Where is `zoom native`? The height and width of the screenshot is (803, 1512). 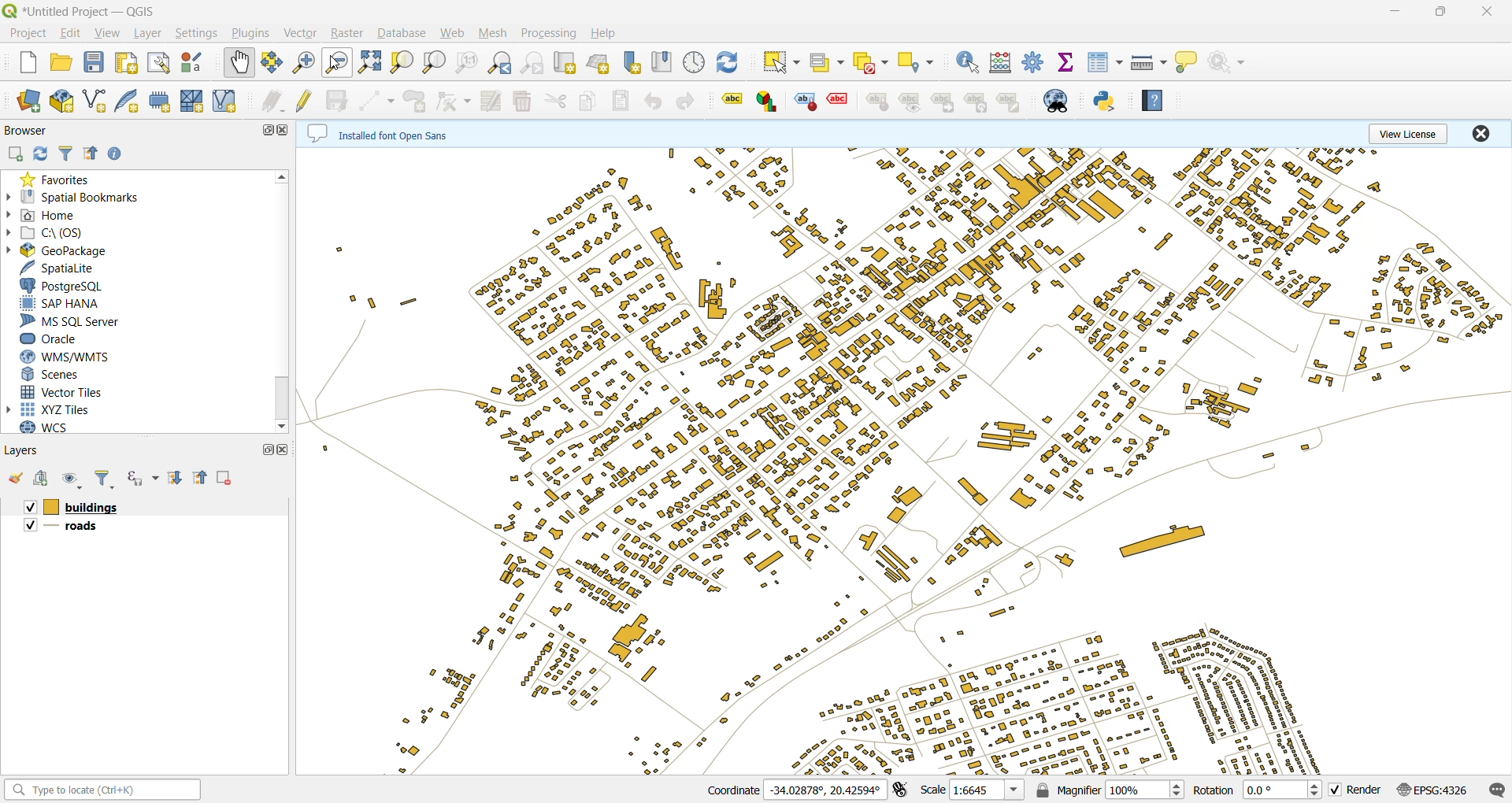 zoom native is located at coordinates (468, 62).